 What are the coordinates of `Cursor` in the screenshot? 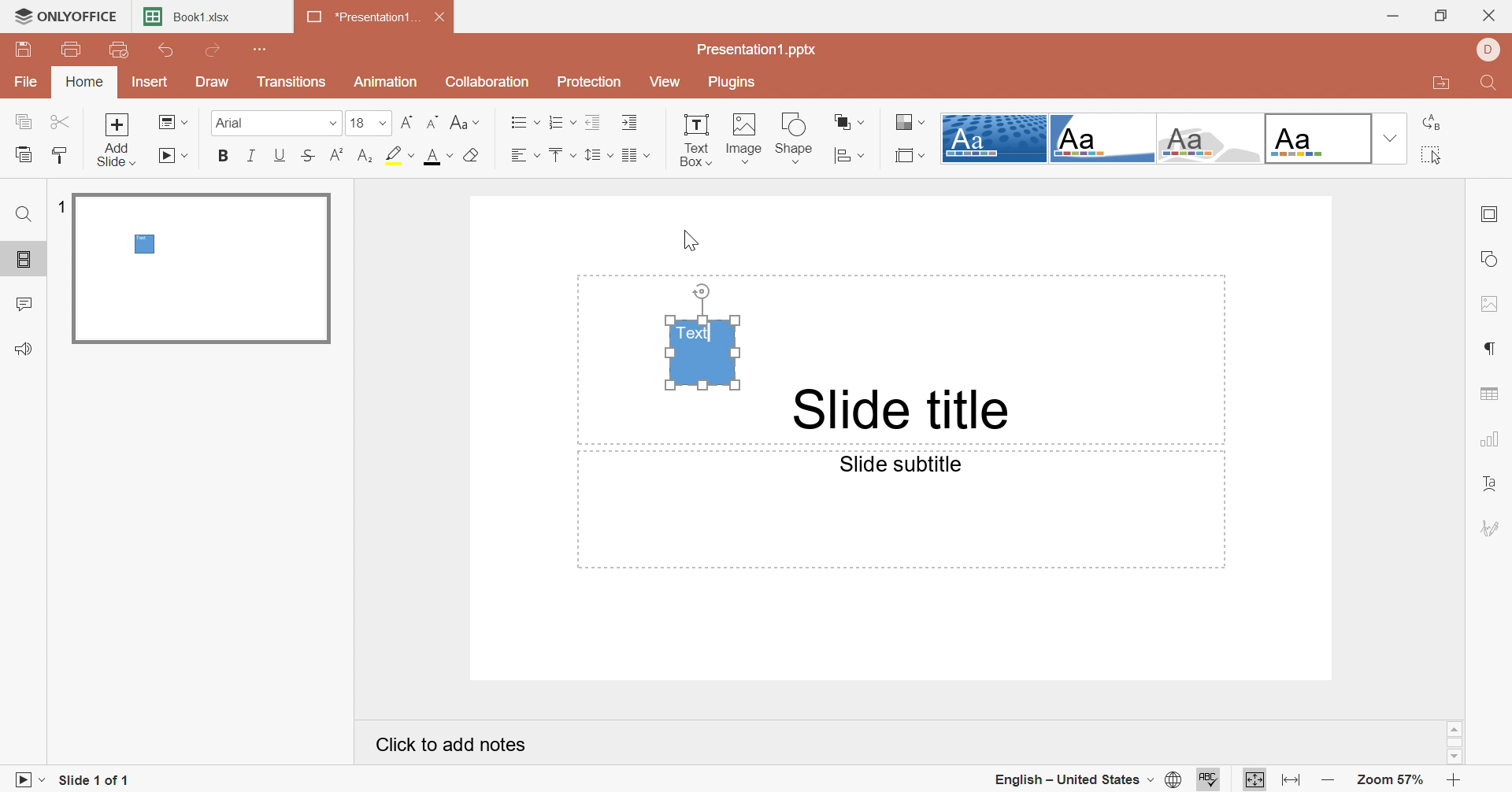 It's located at (691, 243).